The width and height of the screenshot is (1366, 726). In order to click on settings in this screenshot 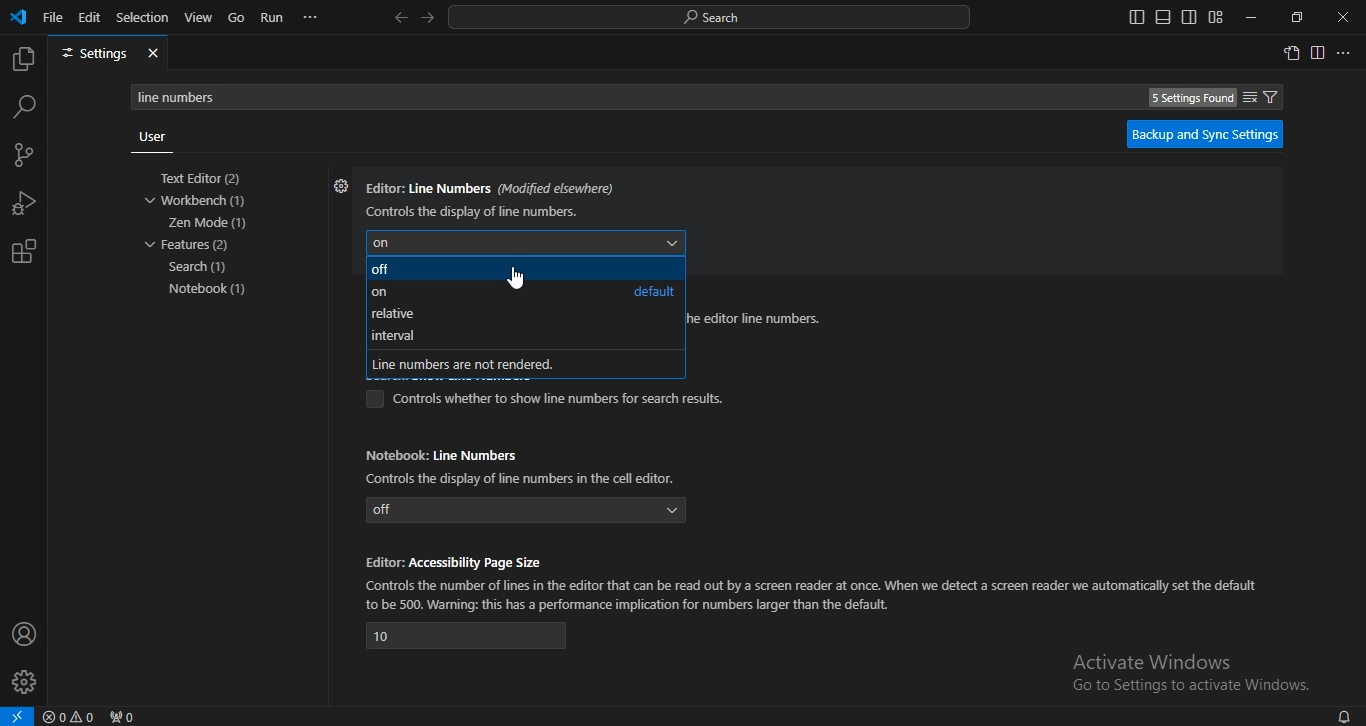, I will do `click(338, 186)`.